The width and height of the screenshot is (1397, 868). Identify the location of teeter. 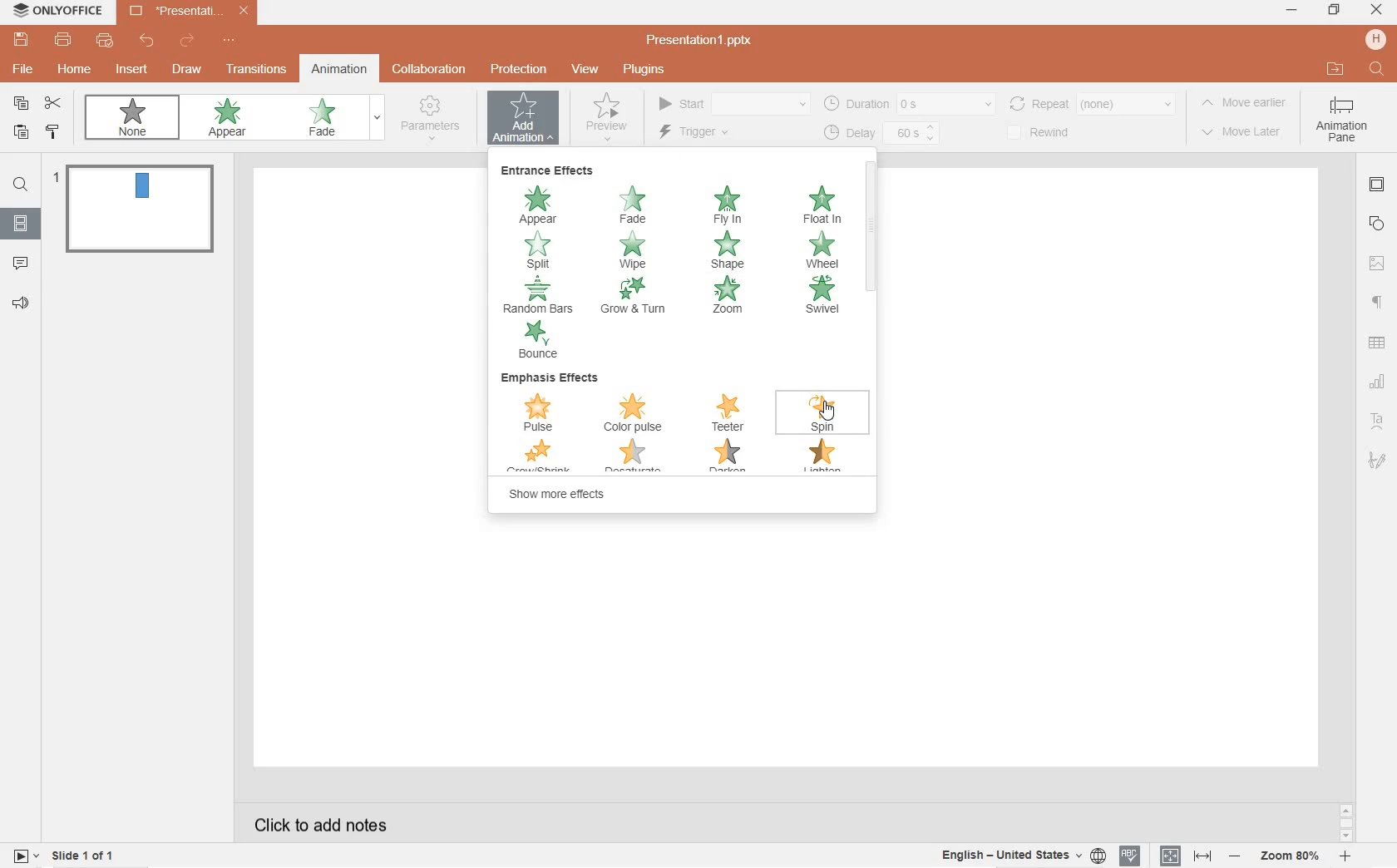
(732, 413).